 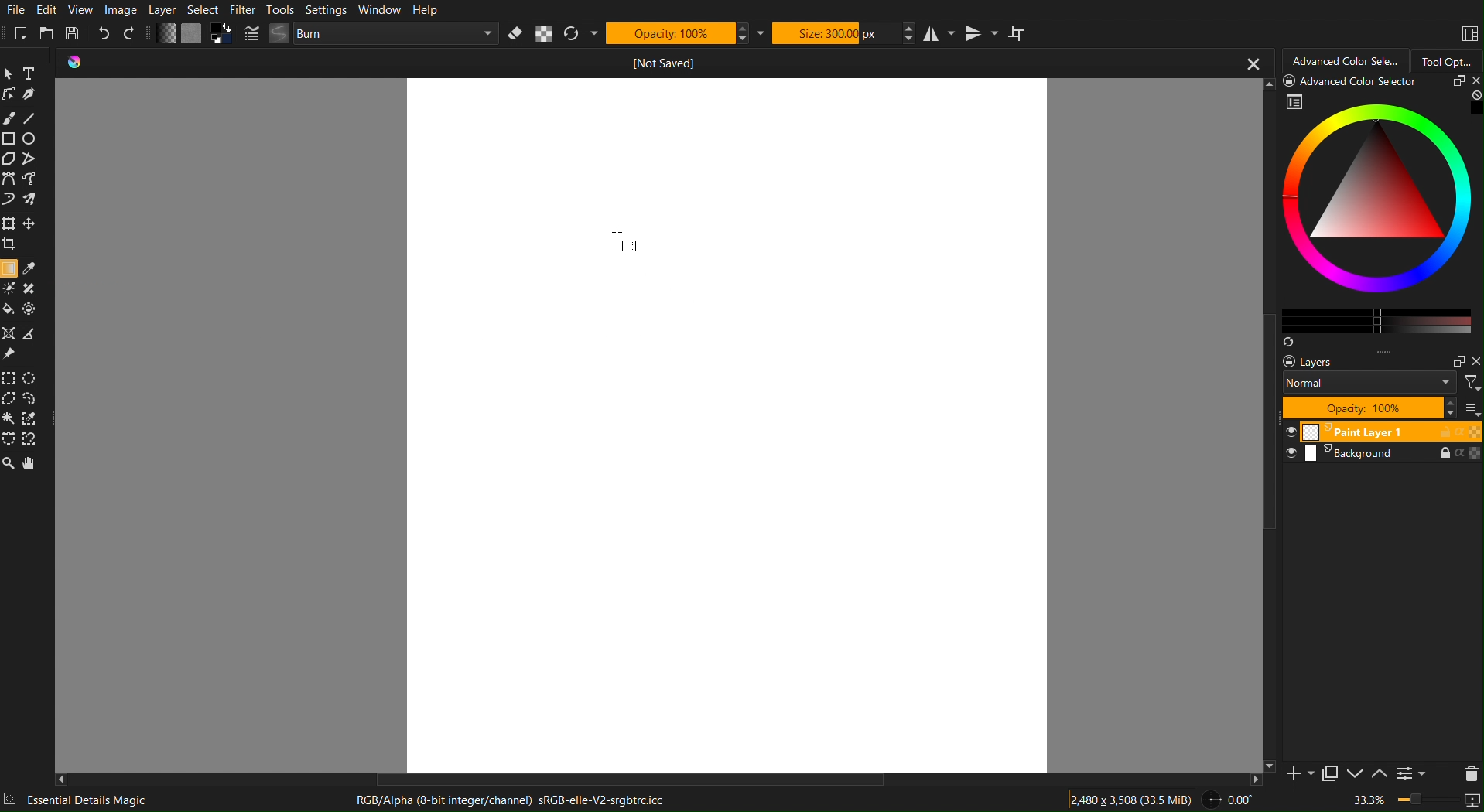 I want to click on Zoom, so click(x=1418, y=802).